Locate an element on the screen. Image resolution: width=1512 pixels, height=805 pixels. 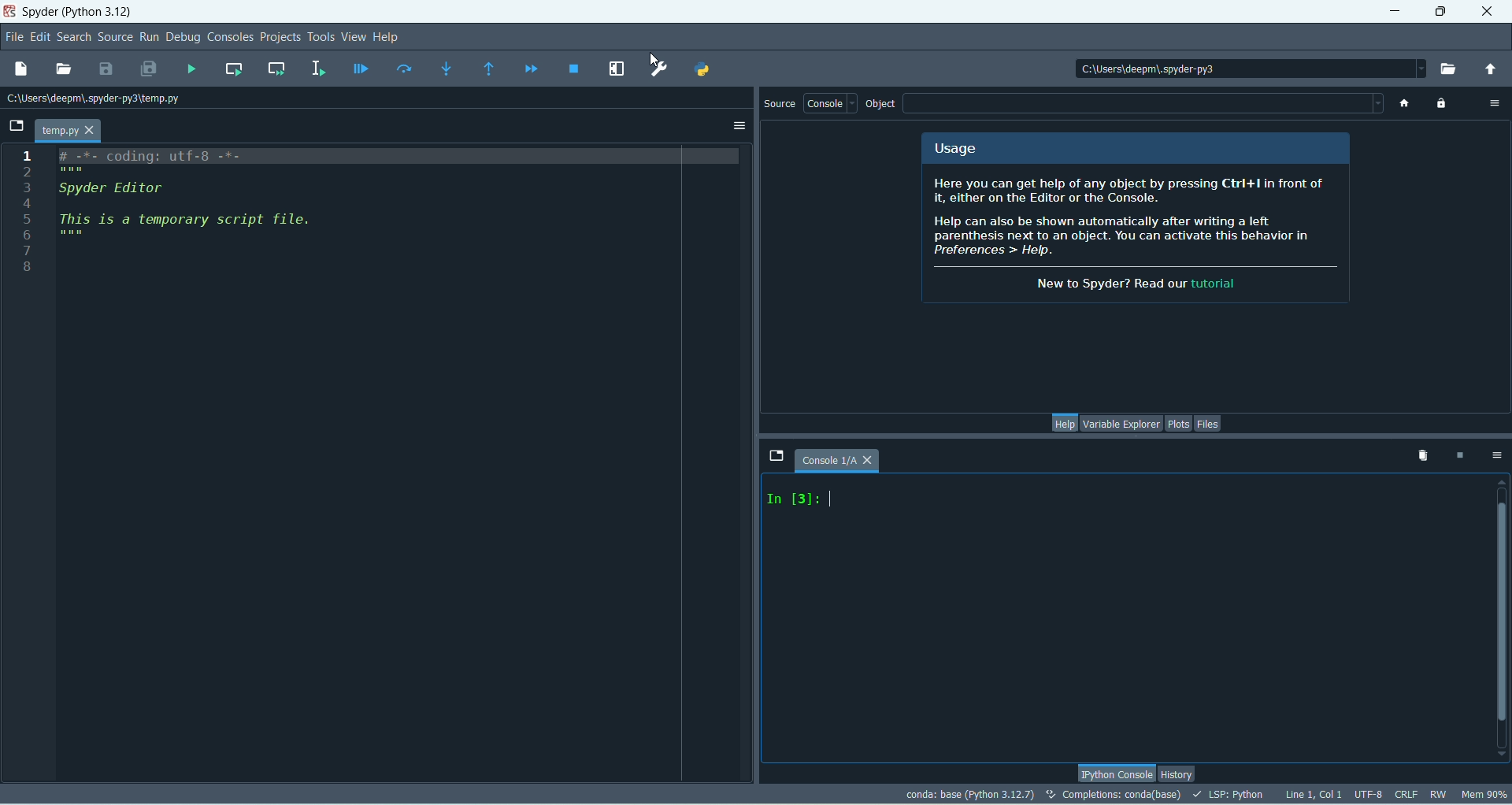
save is located at coordinates (106, 69).